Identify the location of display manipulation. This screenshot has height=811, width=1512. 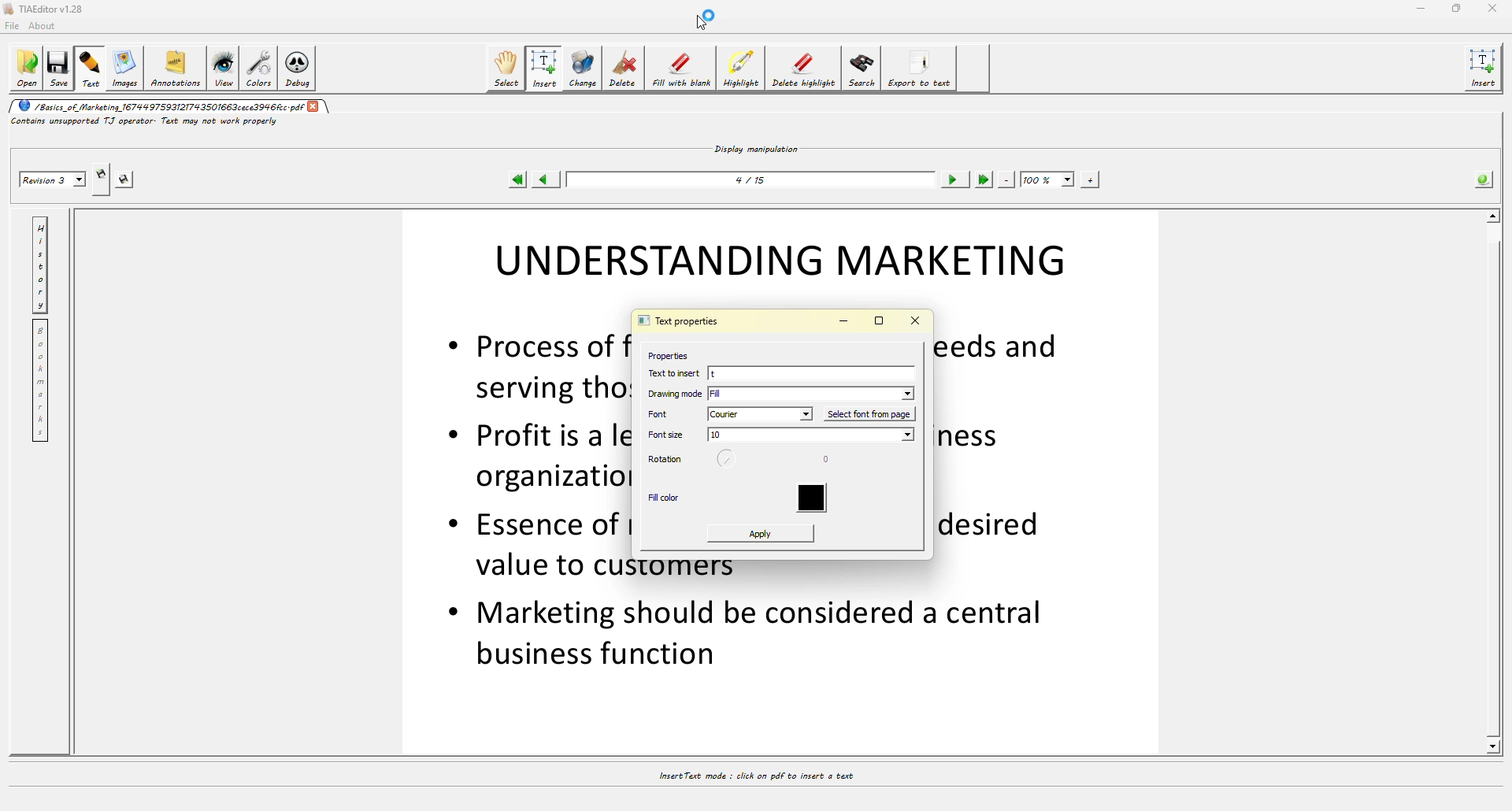
(758, 147).